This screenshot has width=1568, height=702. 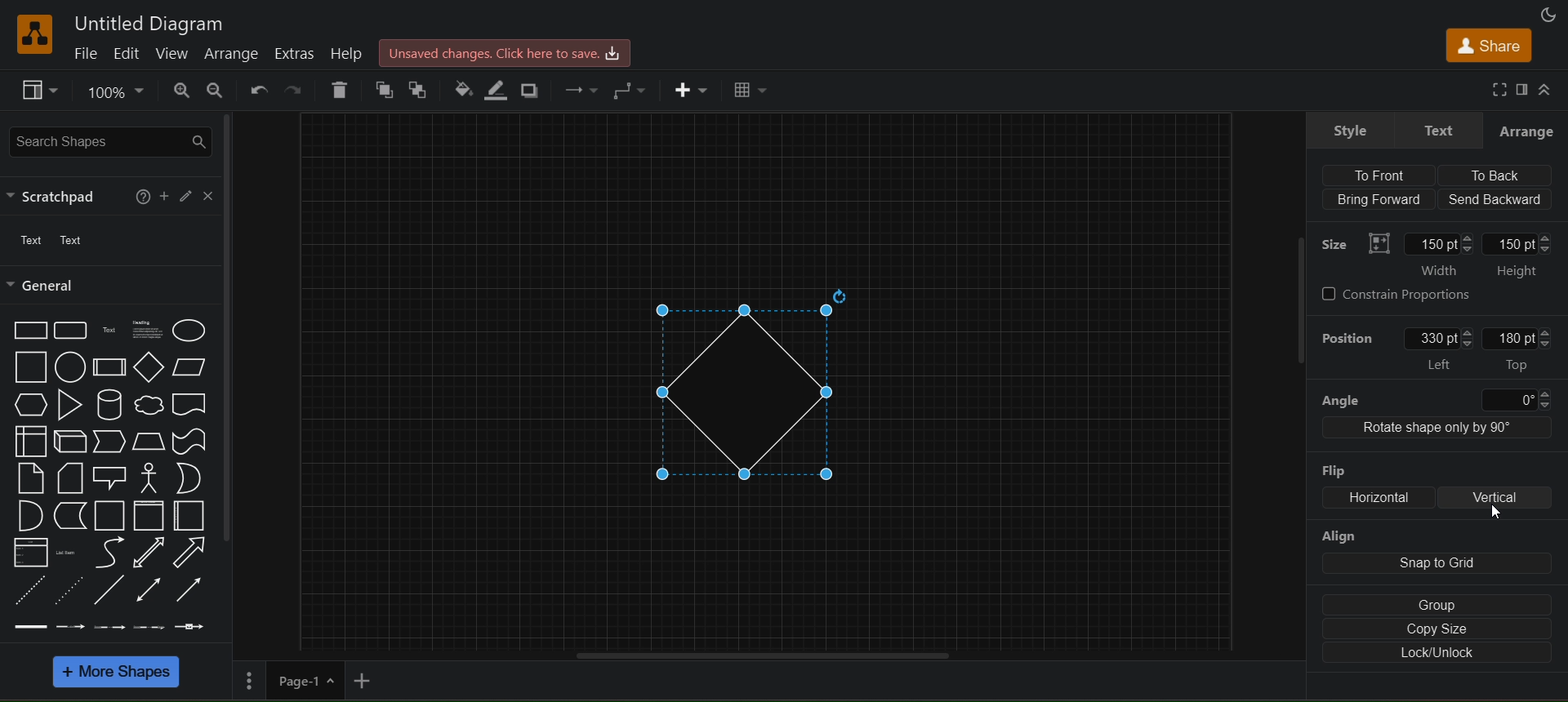 What do you see at coordinates (1380, 498) in the screenshot?
I see `horizontal` at bounding box center [1380, 498].